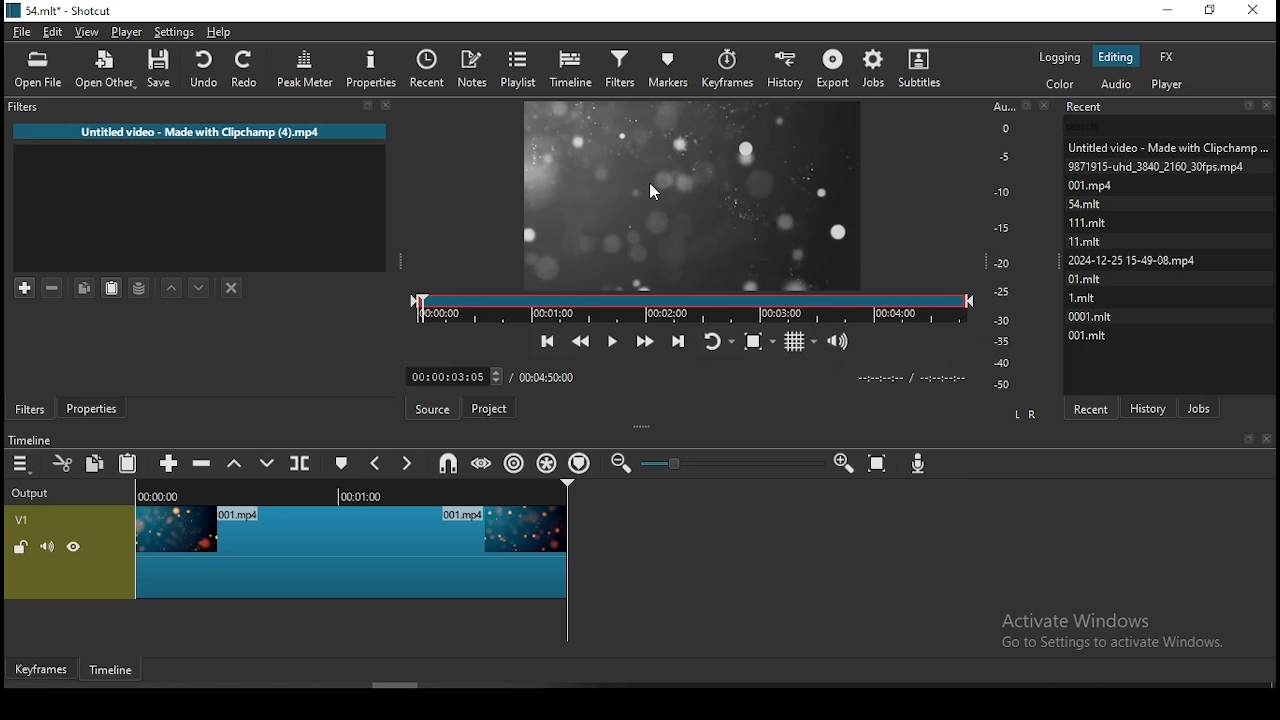 The image size is (1280, 720). What do you see at coordinates (380, 684) in the screenshot?
I see `scroll bar` at bounding box center [380, 684].